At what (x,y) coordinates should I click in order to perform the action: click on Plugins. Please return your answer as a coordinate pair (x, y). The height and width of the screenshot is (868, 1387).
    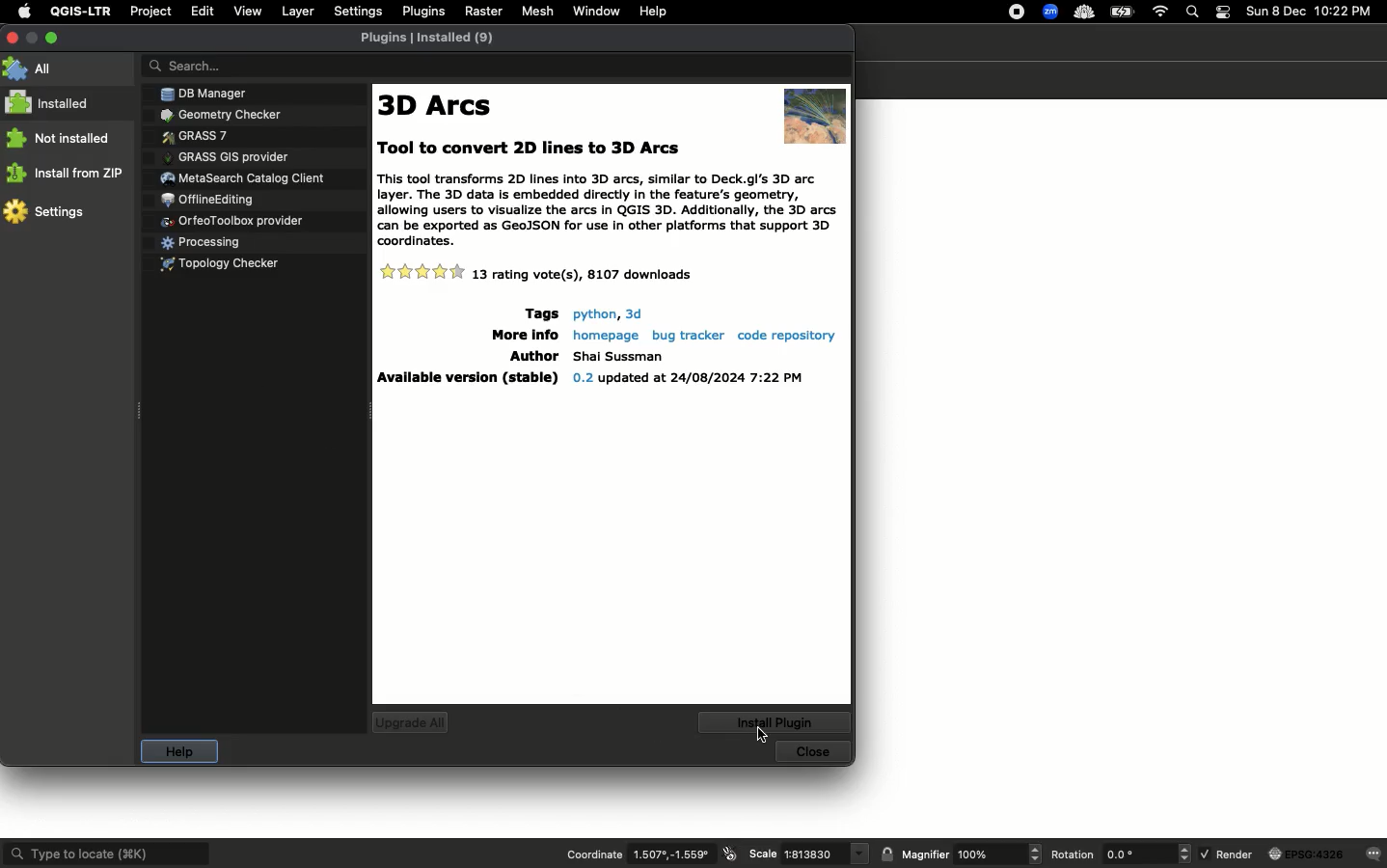
    Looking at the image, I should click on (432, 41).